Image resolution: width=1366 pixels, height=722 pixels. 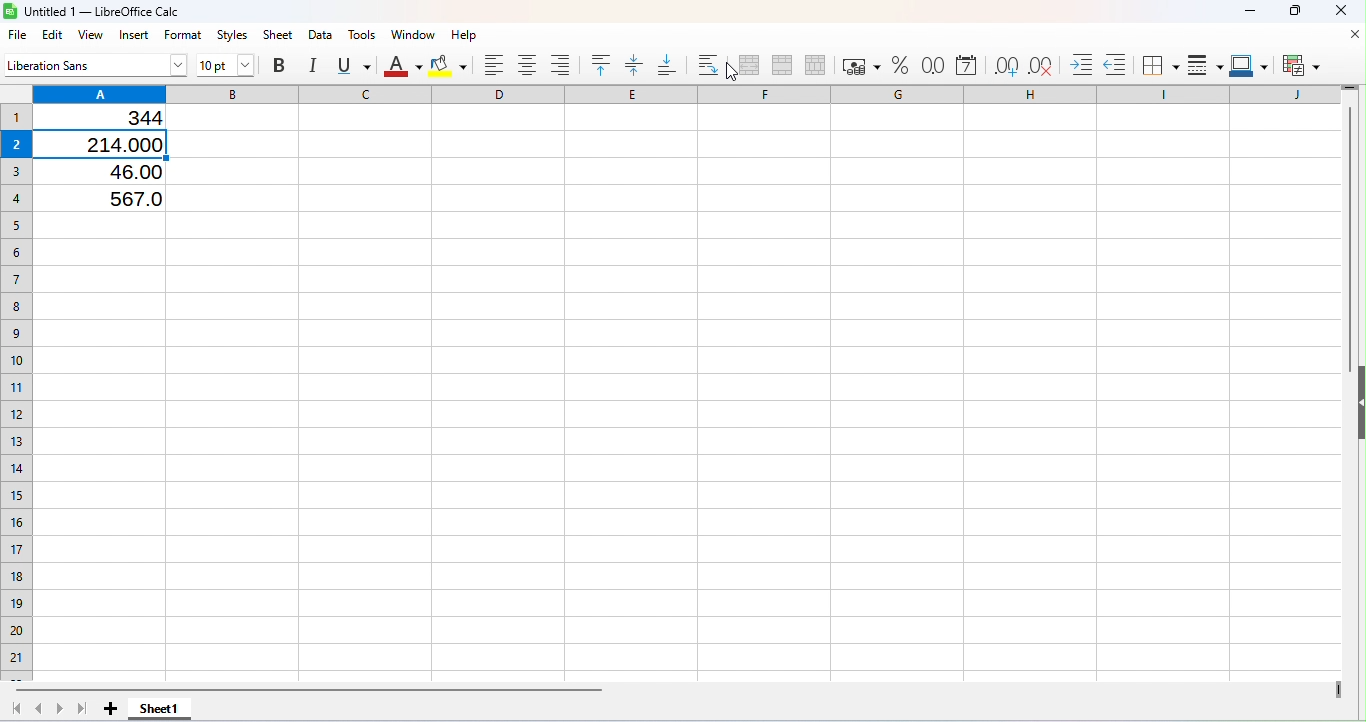 What do you see at coordinates (95, 36) in the screenshot?
I see `View` at bounding box center [95, 36].